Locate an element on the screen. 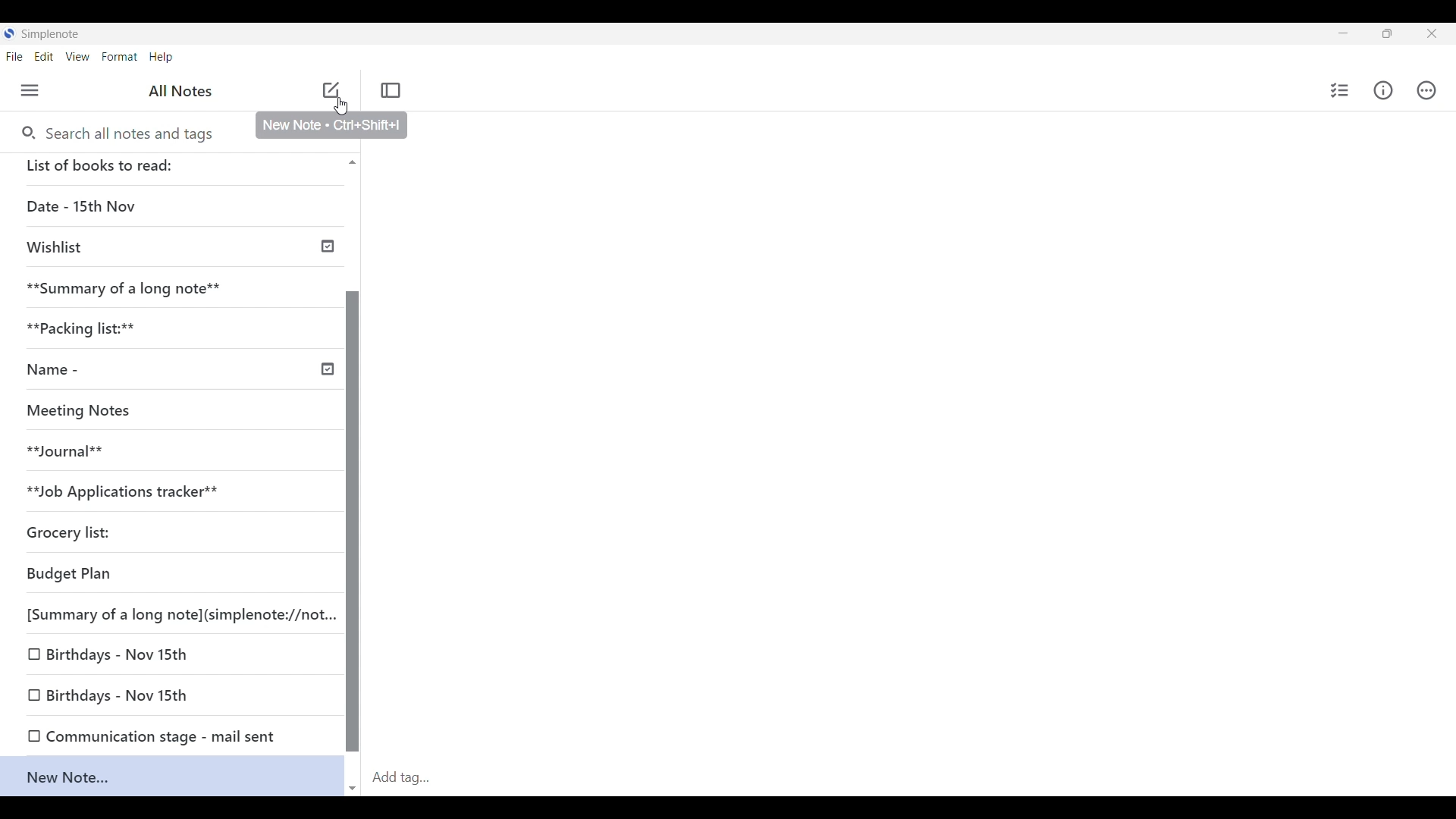 This screenshot has height=819, width=1456. [Summary of a long note](simplenote://not.. is located at coordinates (177, 613).